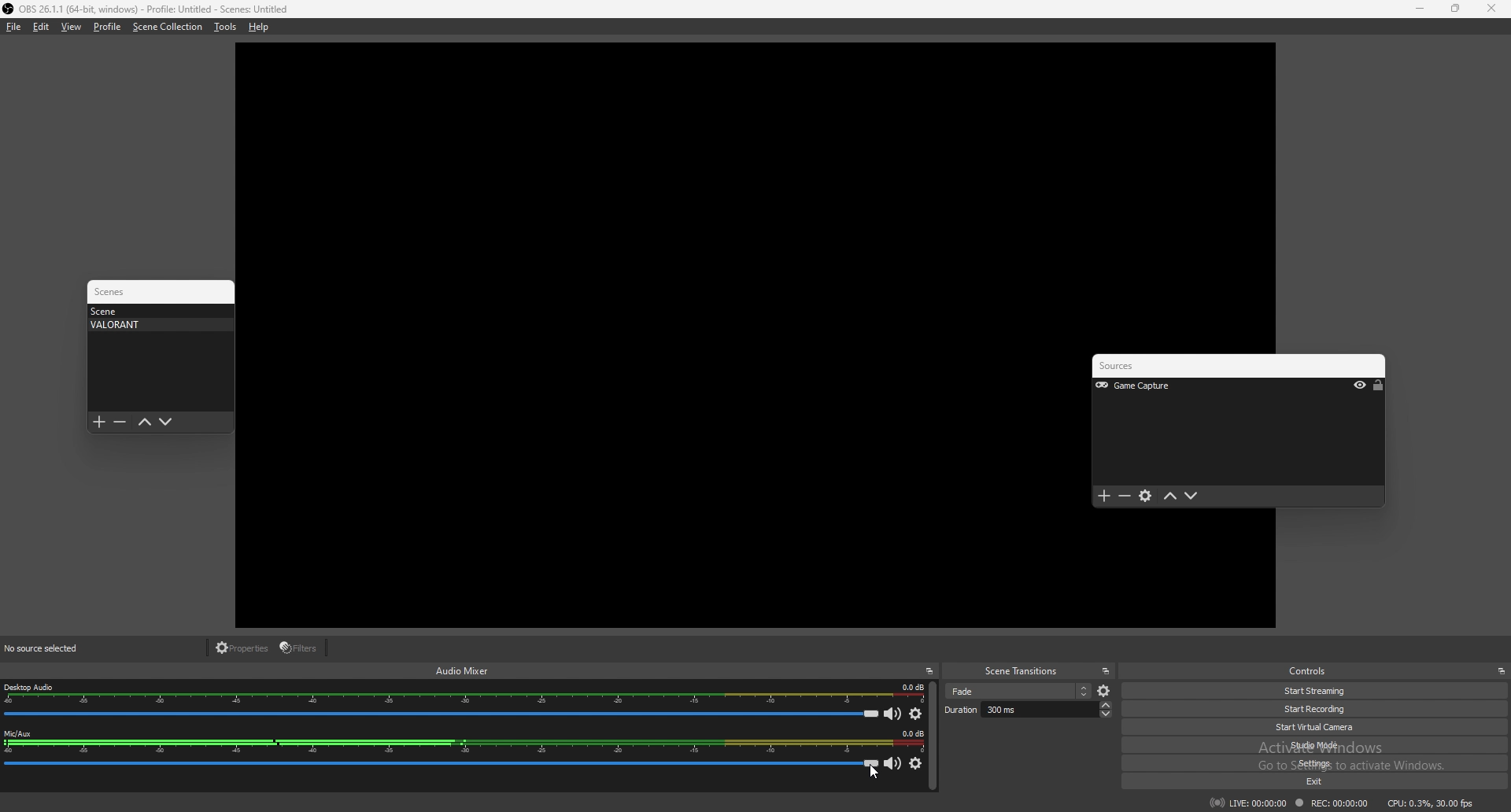 This screenshot has height=812, width=1511. What do you see at coordinates (52, 648) in the screenshot?
I see `source selected` at bounding box center [52, 648].